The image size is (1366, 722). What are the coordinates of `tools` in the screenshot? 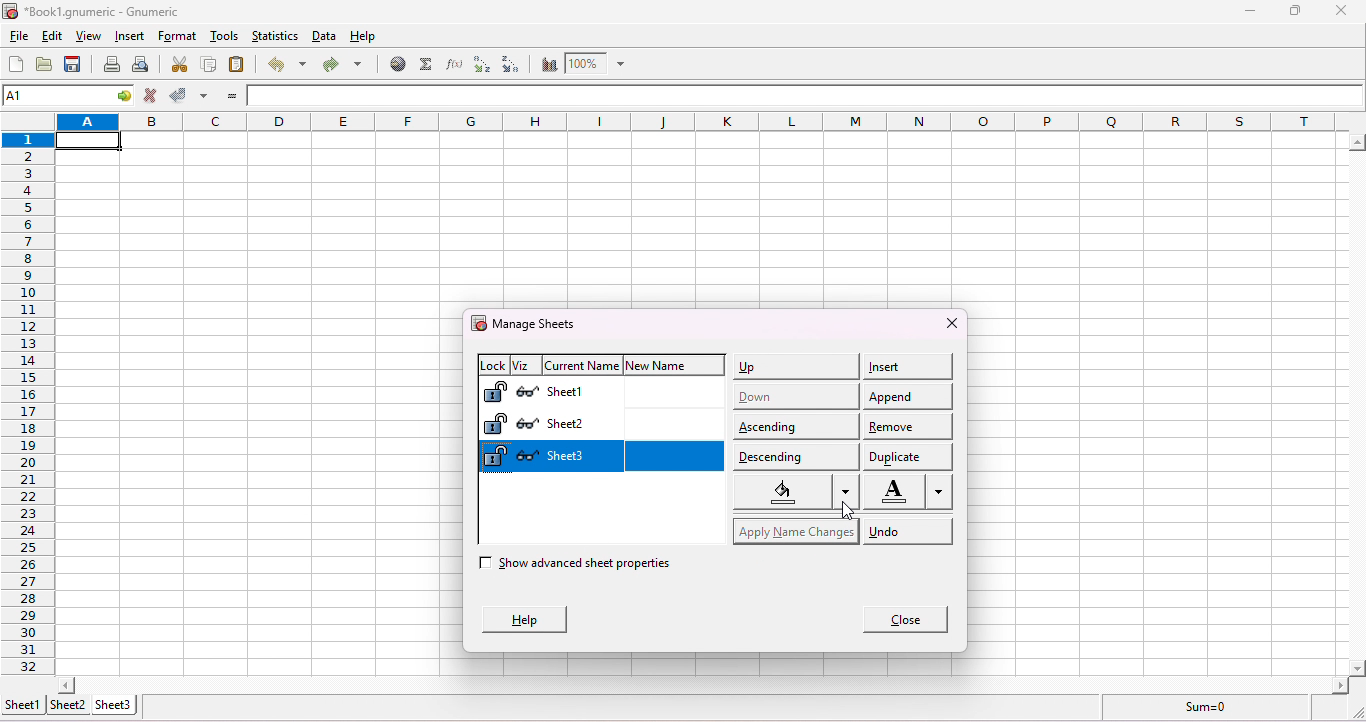 It's located at (229, 37).